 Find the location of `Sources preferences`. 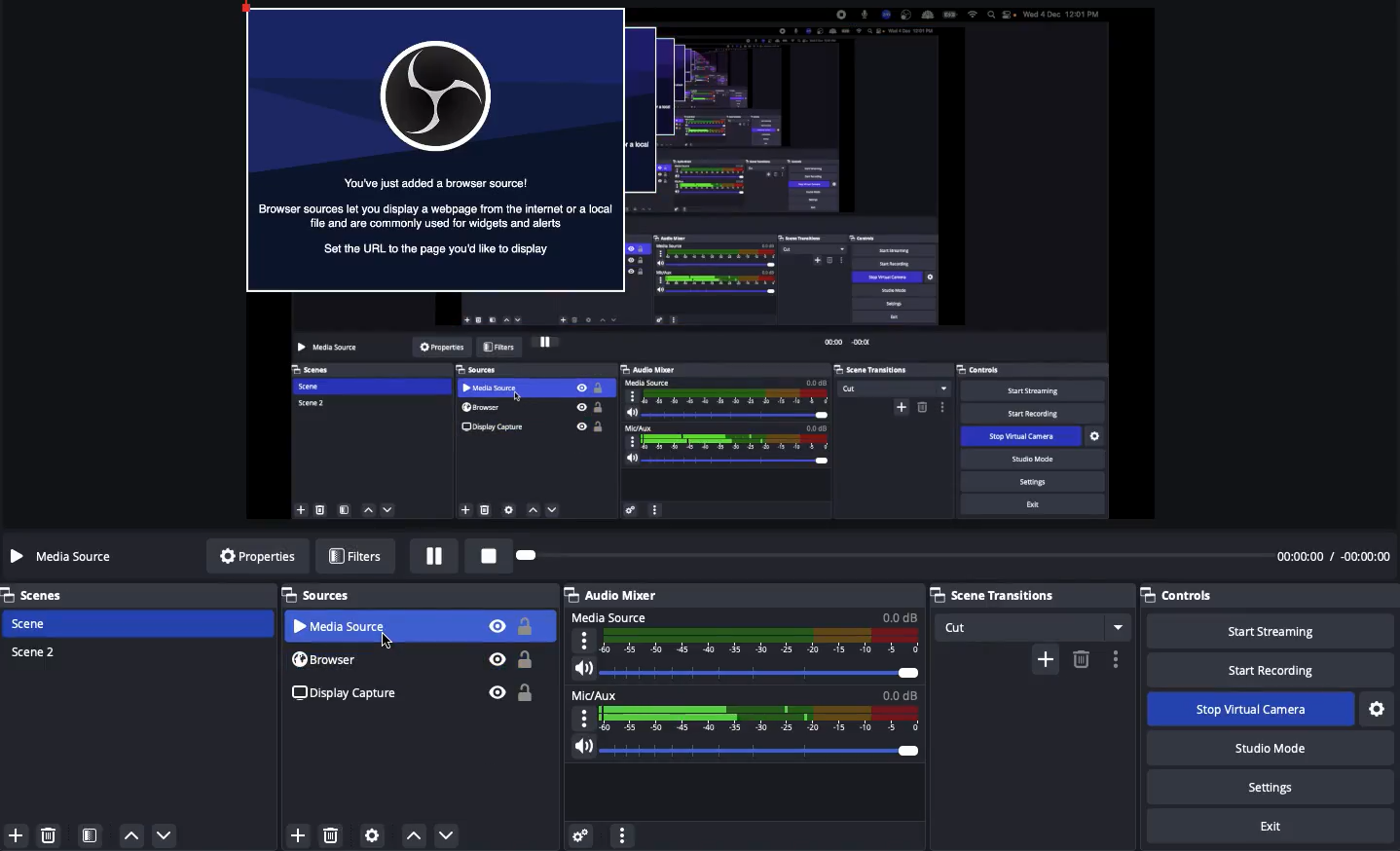

Sources preferences is located at coordinates (373, 834).